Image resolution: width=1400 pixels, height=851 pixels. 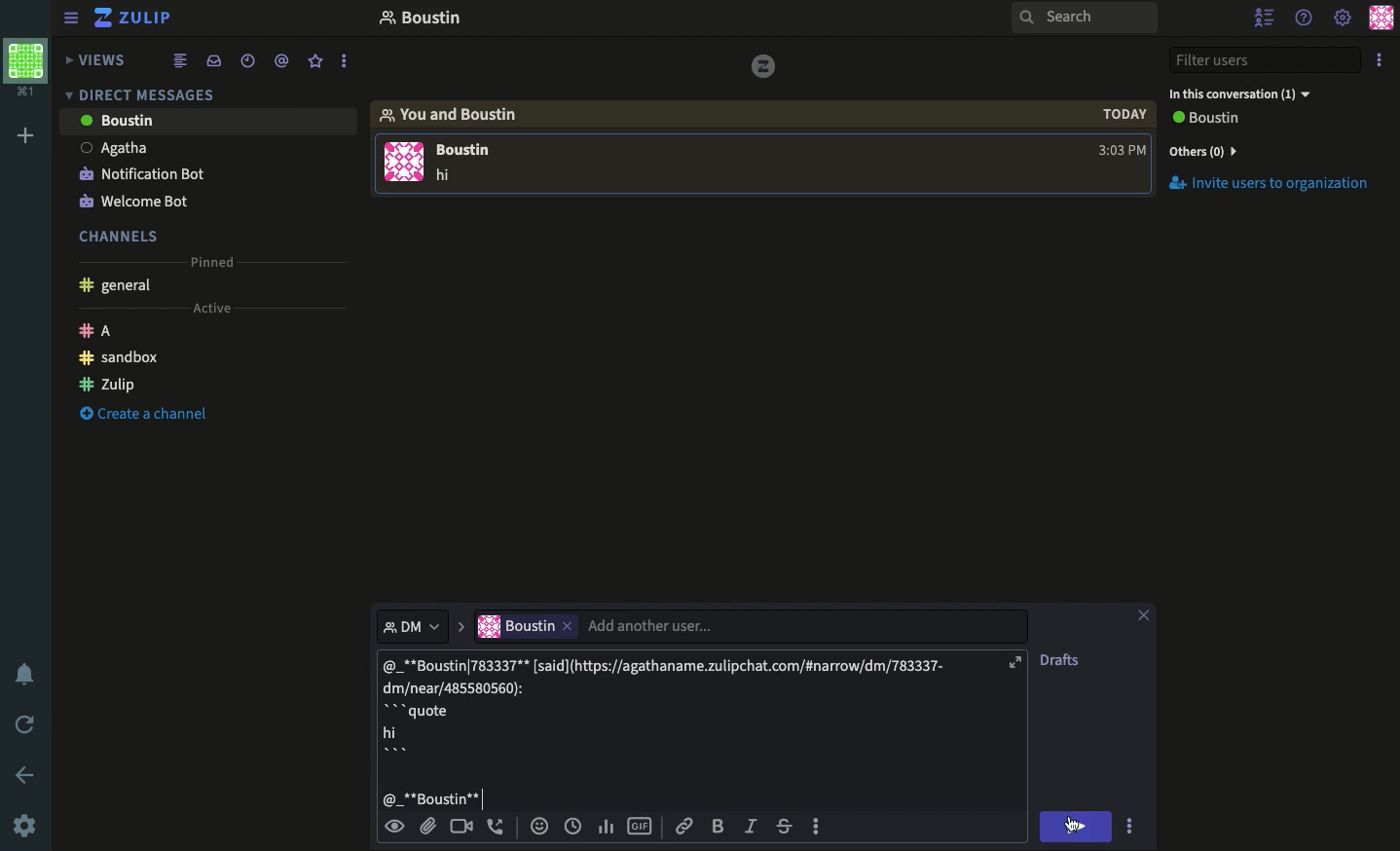 I want to click on User Input, so click(x=608, y=625).